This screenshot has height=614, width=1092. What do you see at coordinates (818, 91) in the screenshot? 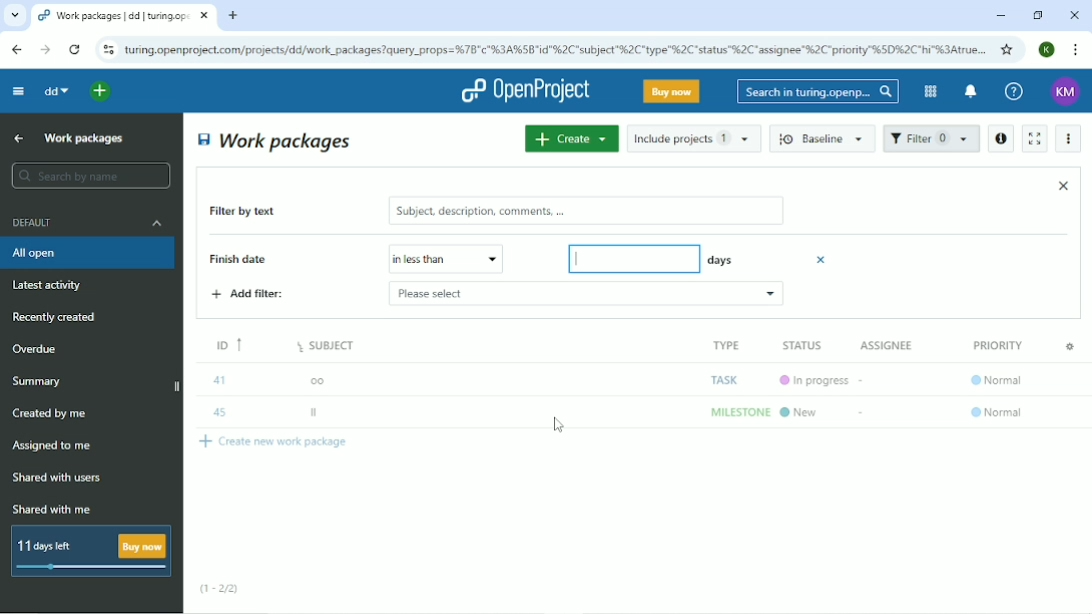
I see `Search` at bounding box center [818, 91].